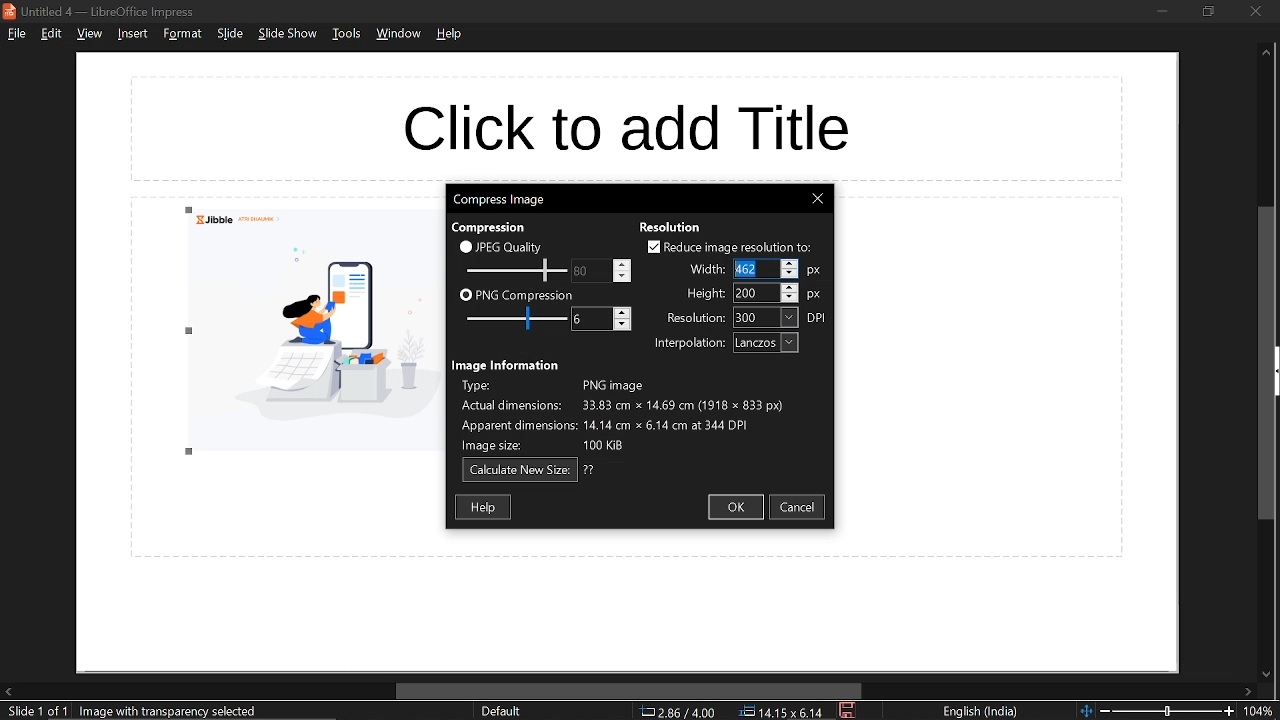  What do you see at coordinates (789, 262) in the screenshot?
I see `increase width` at bounding box center [789, 262].